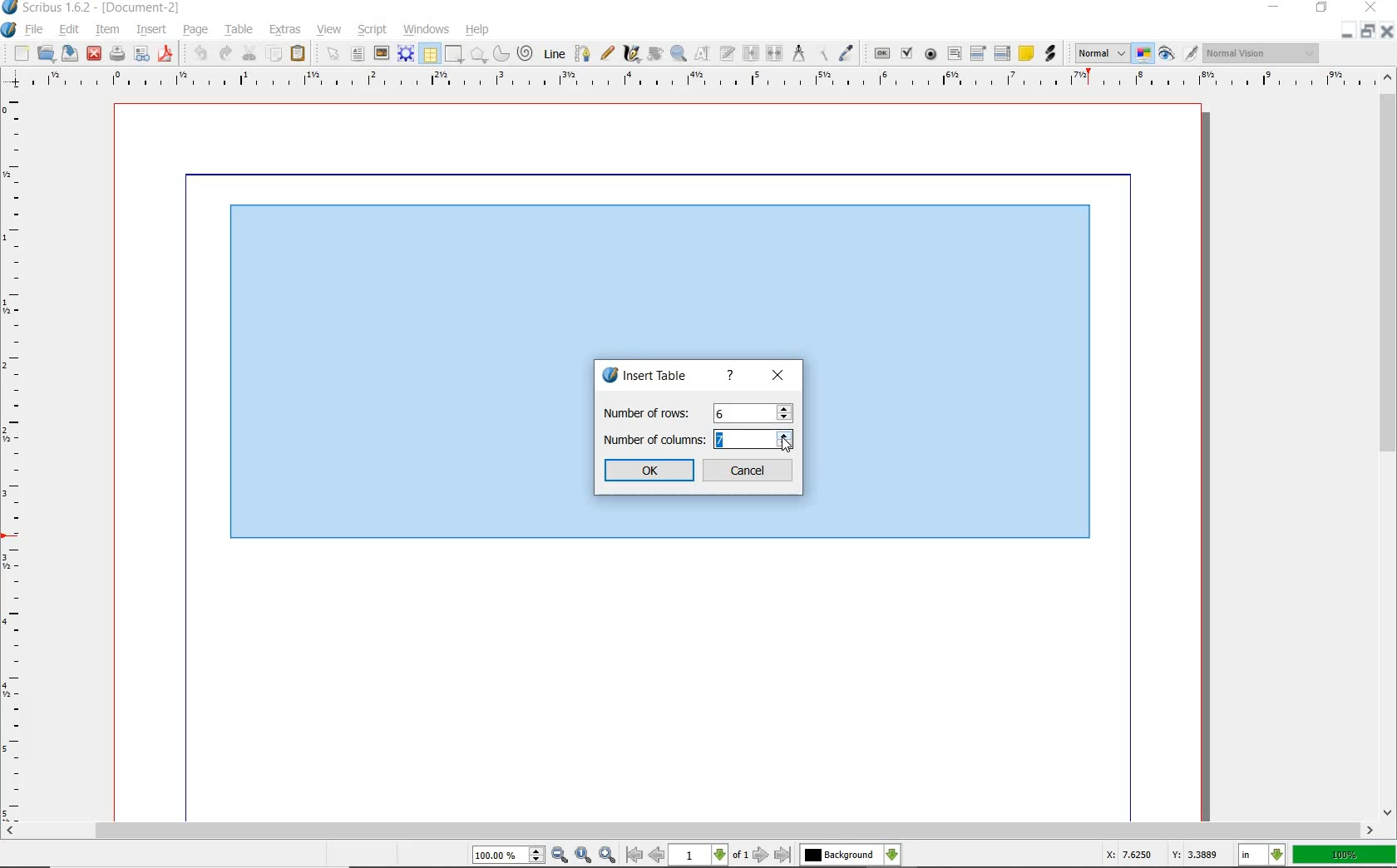 The image size is (1397, 868). What do you see at coordinates (223, 52) in the screenshot?
I see `redo` at bounding box center [223, 52].